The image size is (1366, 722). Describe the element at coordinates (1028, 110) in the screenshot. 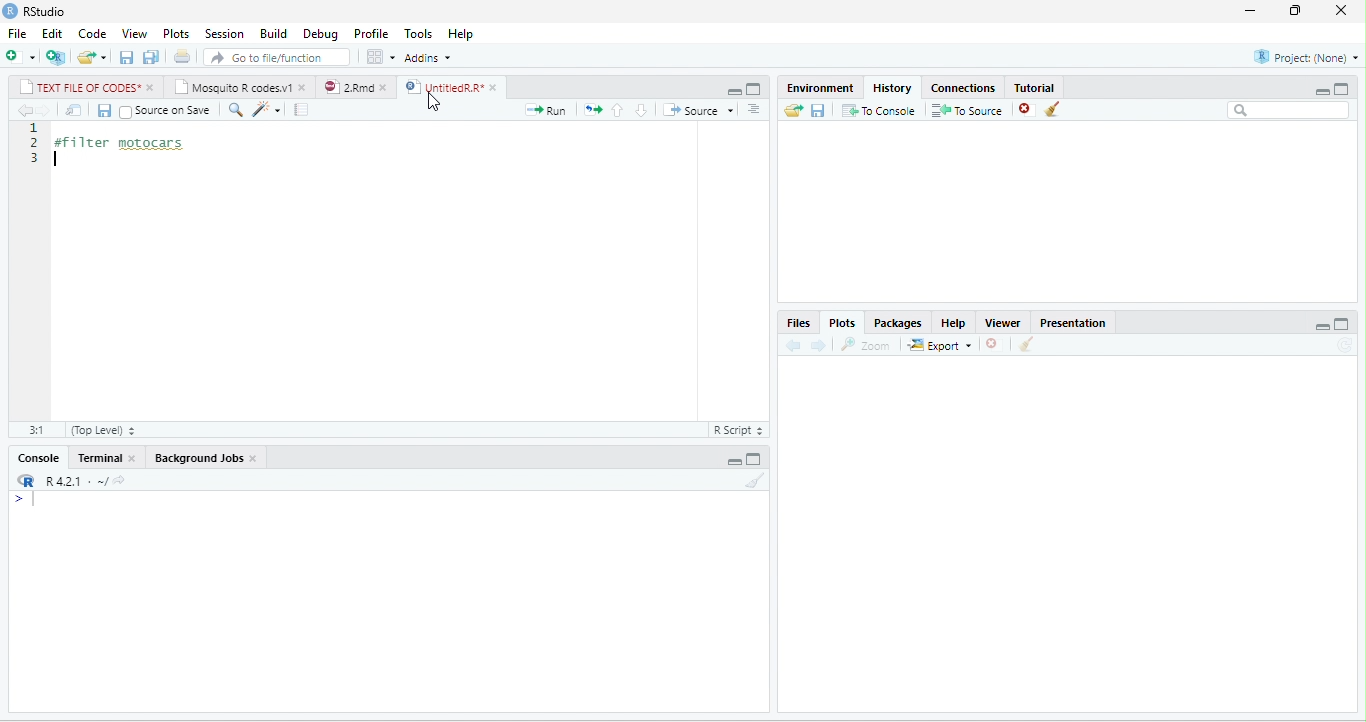

I see `close file` at that location.